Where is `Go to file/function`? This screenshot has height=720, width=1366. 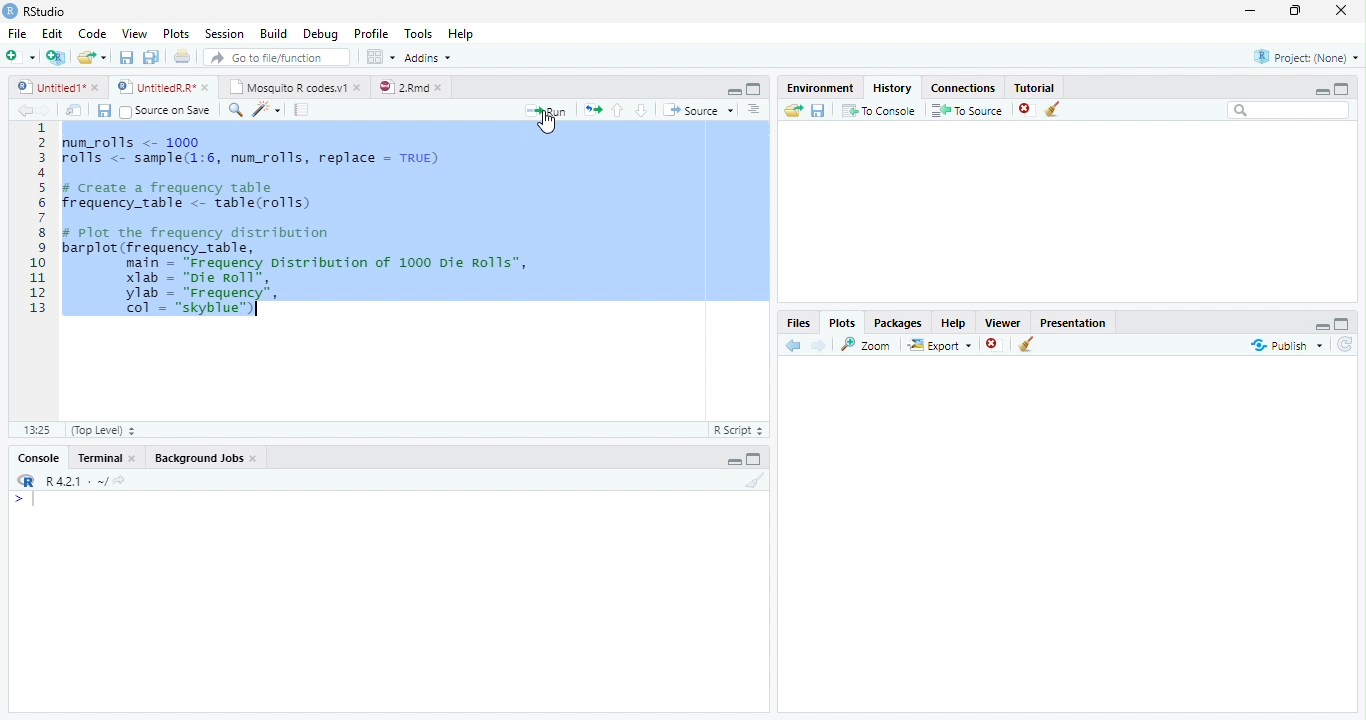
Go to file/function is located at coordinates (275, 57).